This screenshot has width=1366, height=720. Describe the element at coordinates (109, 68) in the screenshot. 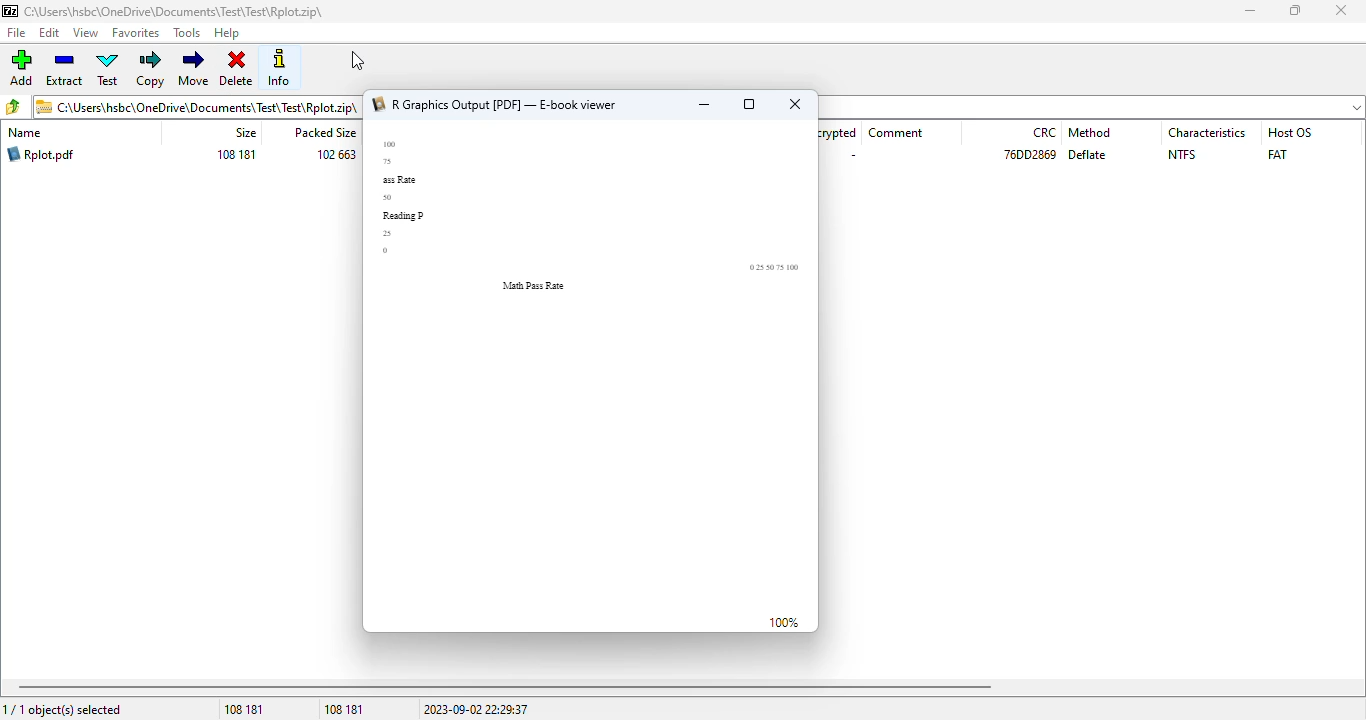

I see `test` at that location.